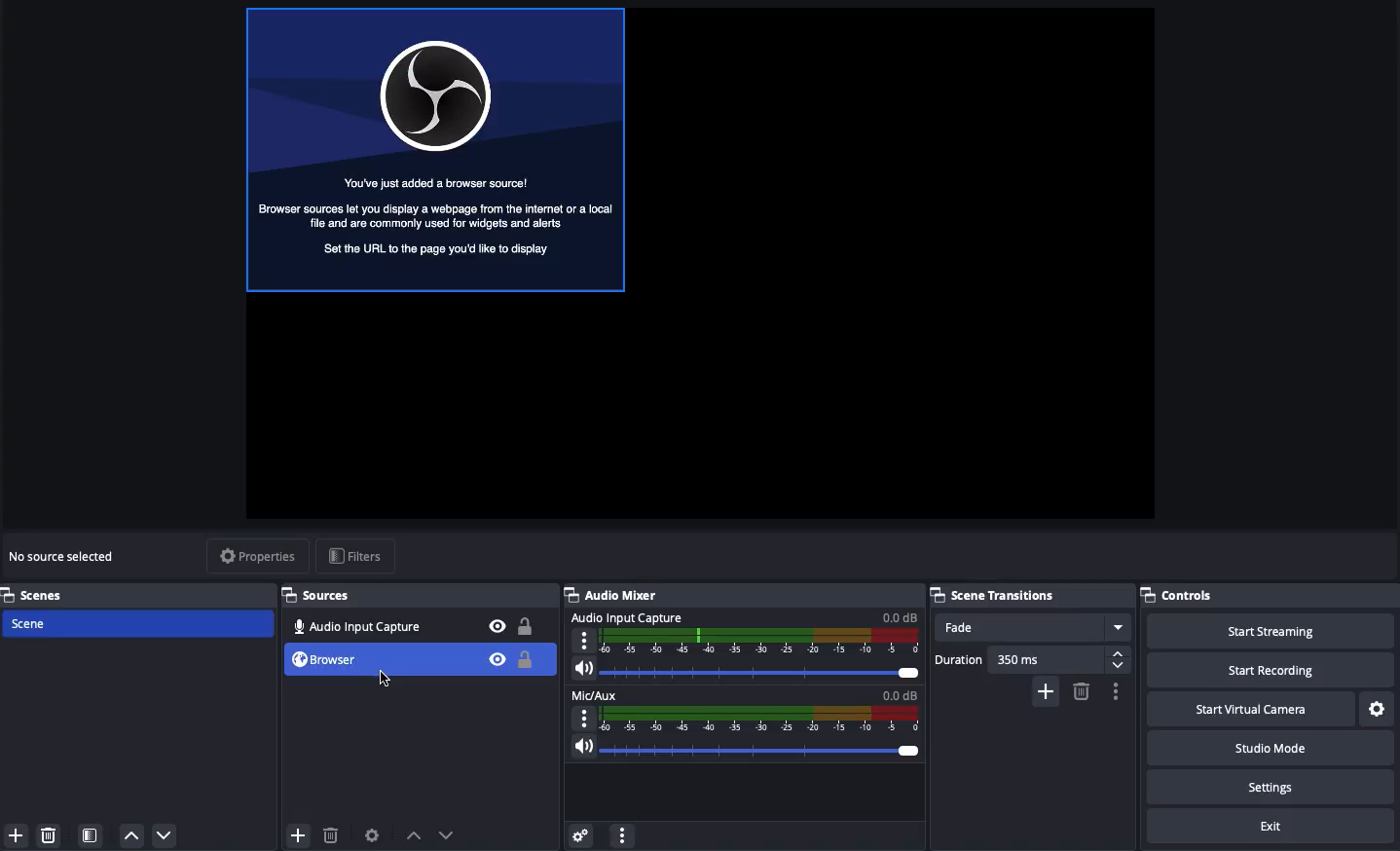  What do you see at coordinates (129, 833) in the screenshot?
I see `Up` at bounding box center [129, 833].